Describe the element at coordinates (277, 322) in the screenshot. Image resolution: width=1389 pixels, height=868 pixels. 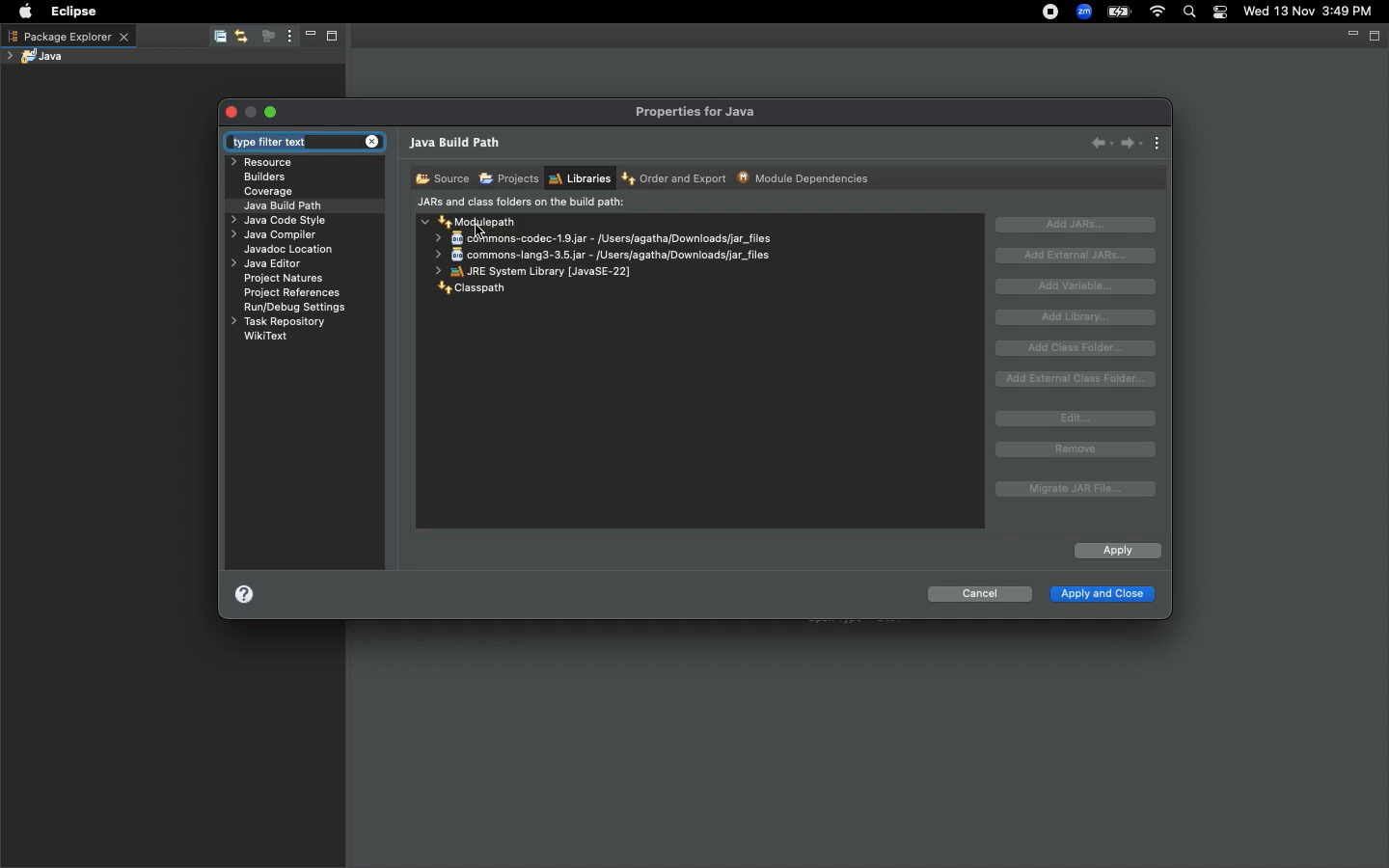
I see `Task repository` at that location.